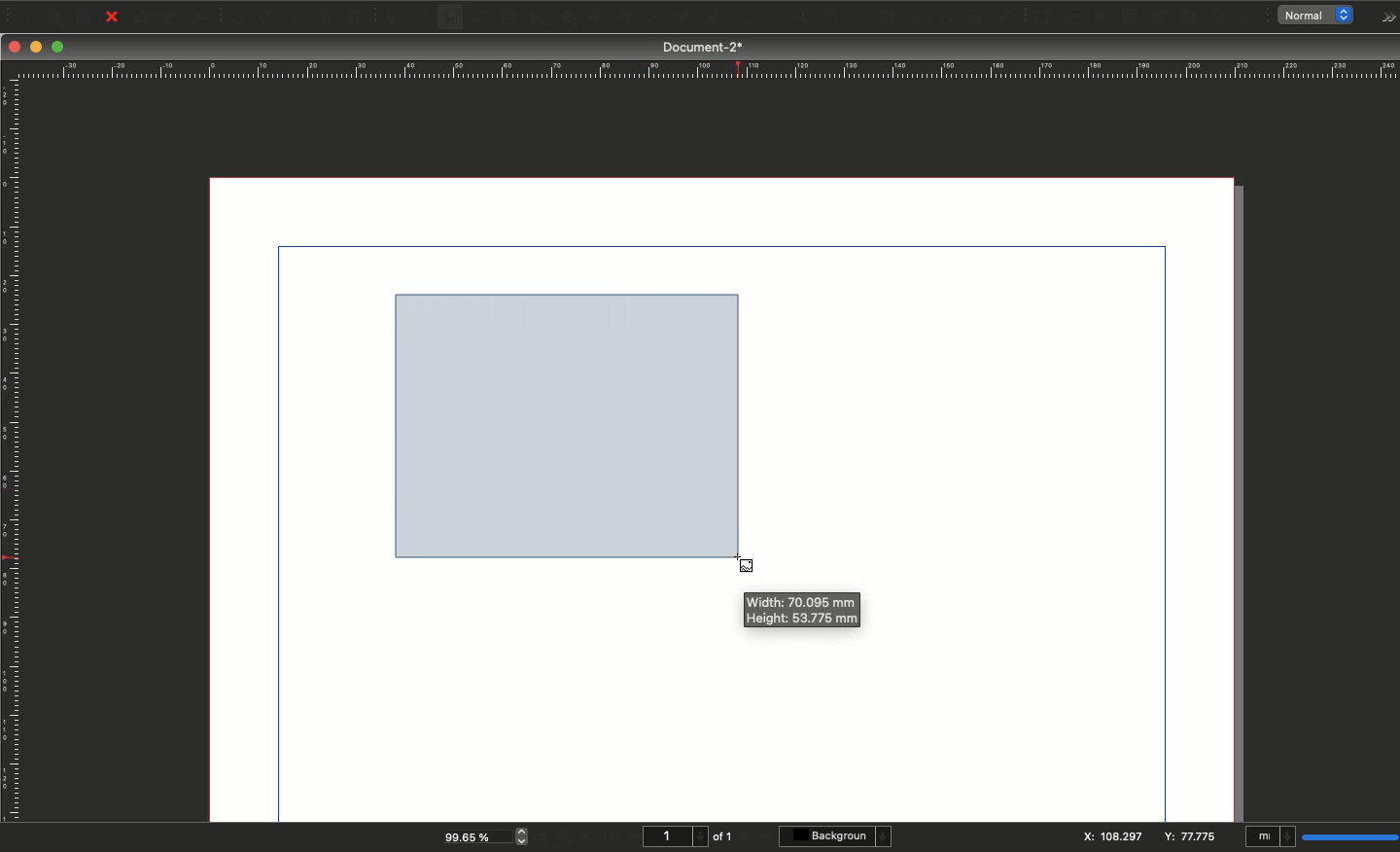 The height and width of the screenshot is (852, 1400). I want to click on PDF text field, so click(1129, 18).